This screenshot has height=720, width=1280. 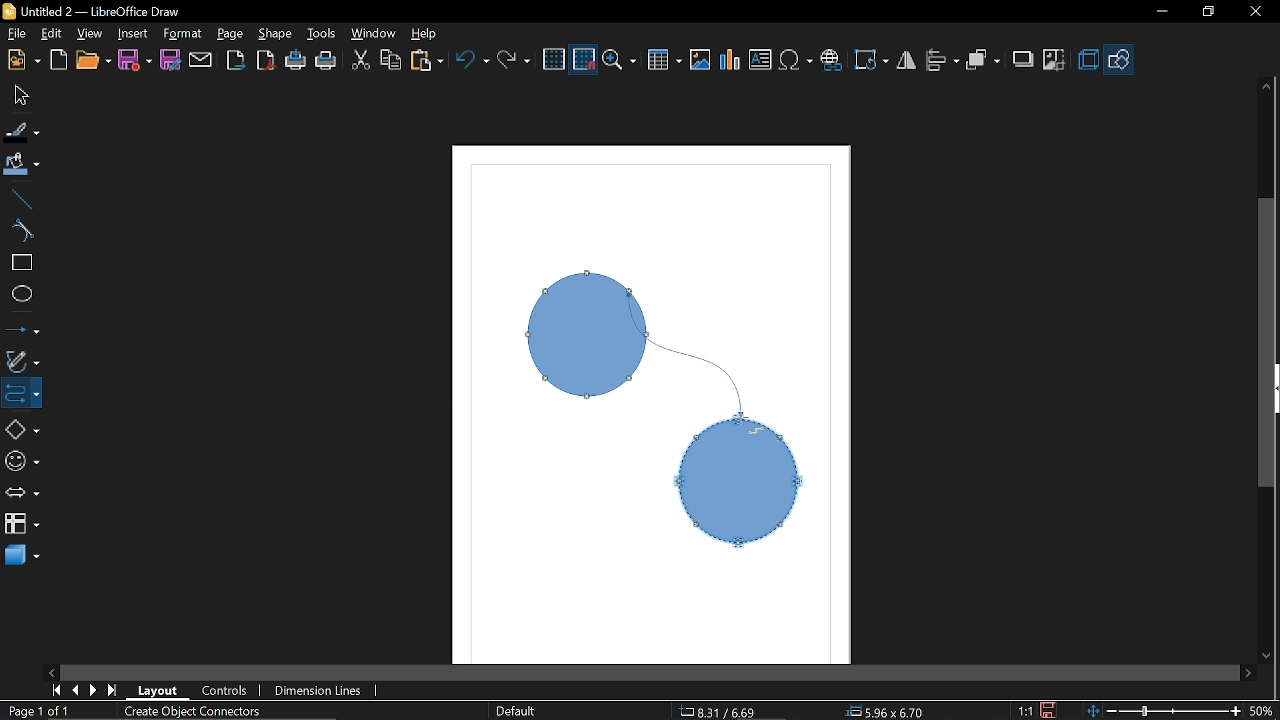 What do you see at coordinates (585, 60) in the screenshot?
I see `Snap to grid` at bounding box center [585, 60].